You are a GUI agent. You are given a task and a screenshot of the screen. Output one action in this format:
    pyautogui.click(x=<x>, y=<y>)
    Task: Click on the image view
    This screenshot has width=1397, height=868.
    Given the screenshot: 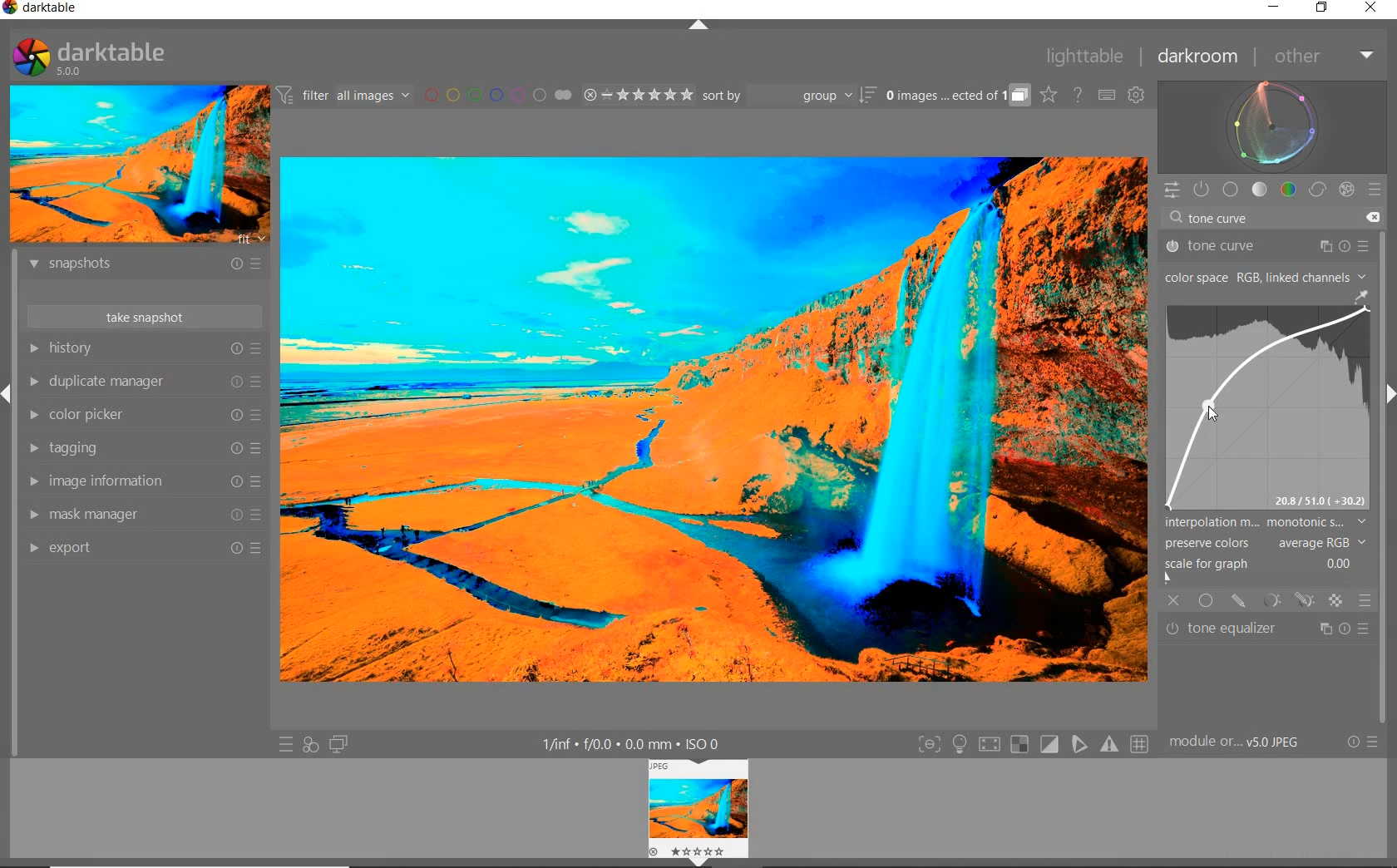 What is the action you would take?
    pyautogui.click(x=693, y=806)
    